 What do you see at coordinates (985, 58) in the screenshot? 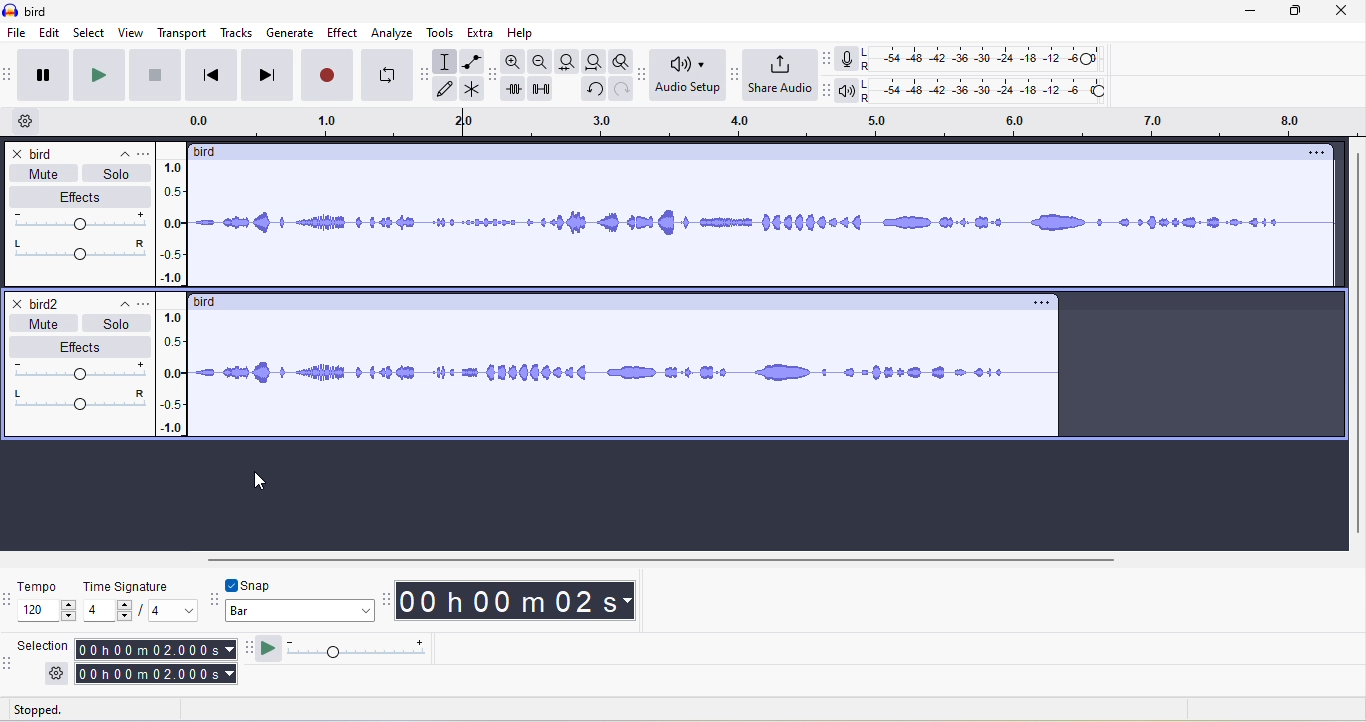
I see `recording level` at bounding box center [985, 58].